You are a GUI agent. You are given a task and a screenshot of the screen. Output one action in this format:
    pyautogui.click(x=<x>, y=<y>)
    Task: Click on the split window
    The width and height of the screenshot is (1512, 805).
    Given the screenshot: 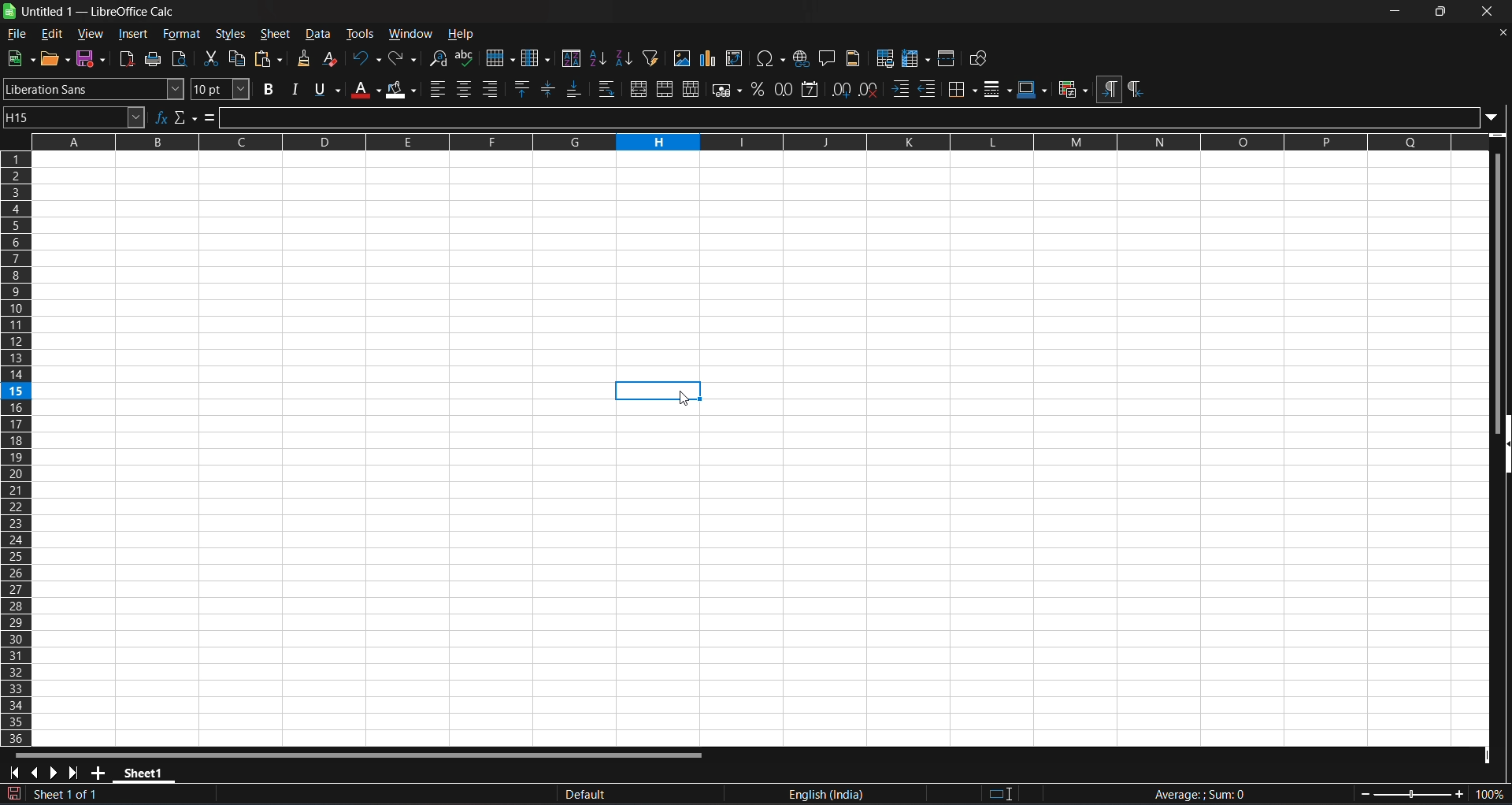 What is the action you would take?
    pyautogui.click(x=947, y=57)
    